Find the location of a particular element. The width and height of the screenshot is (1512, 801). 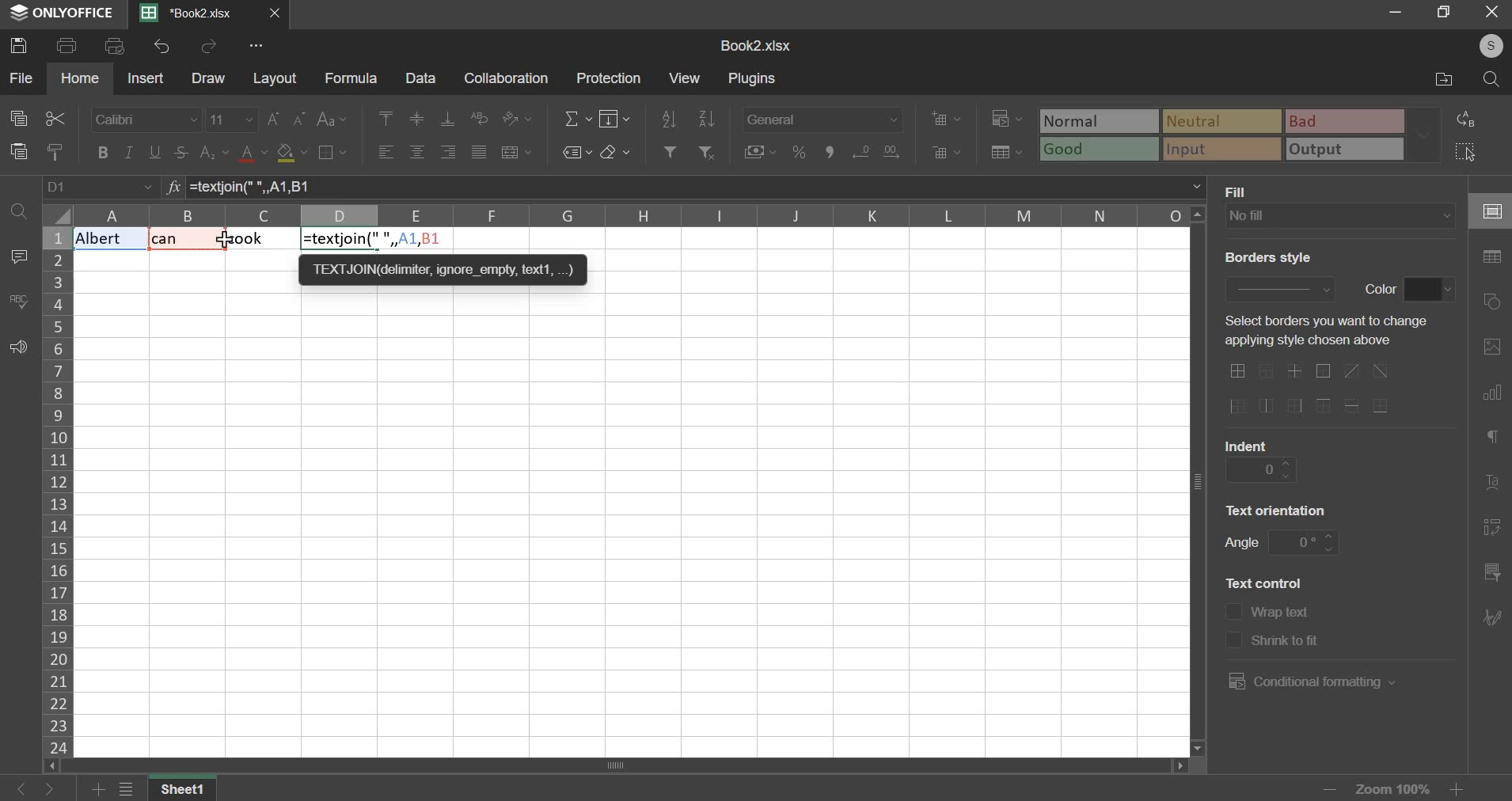

cell is located at coordinates (1490, 212).